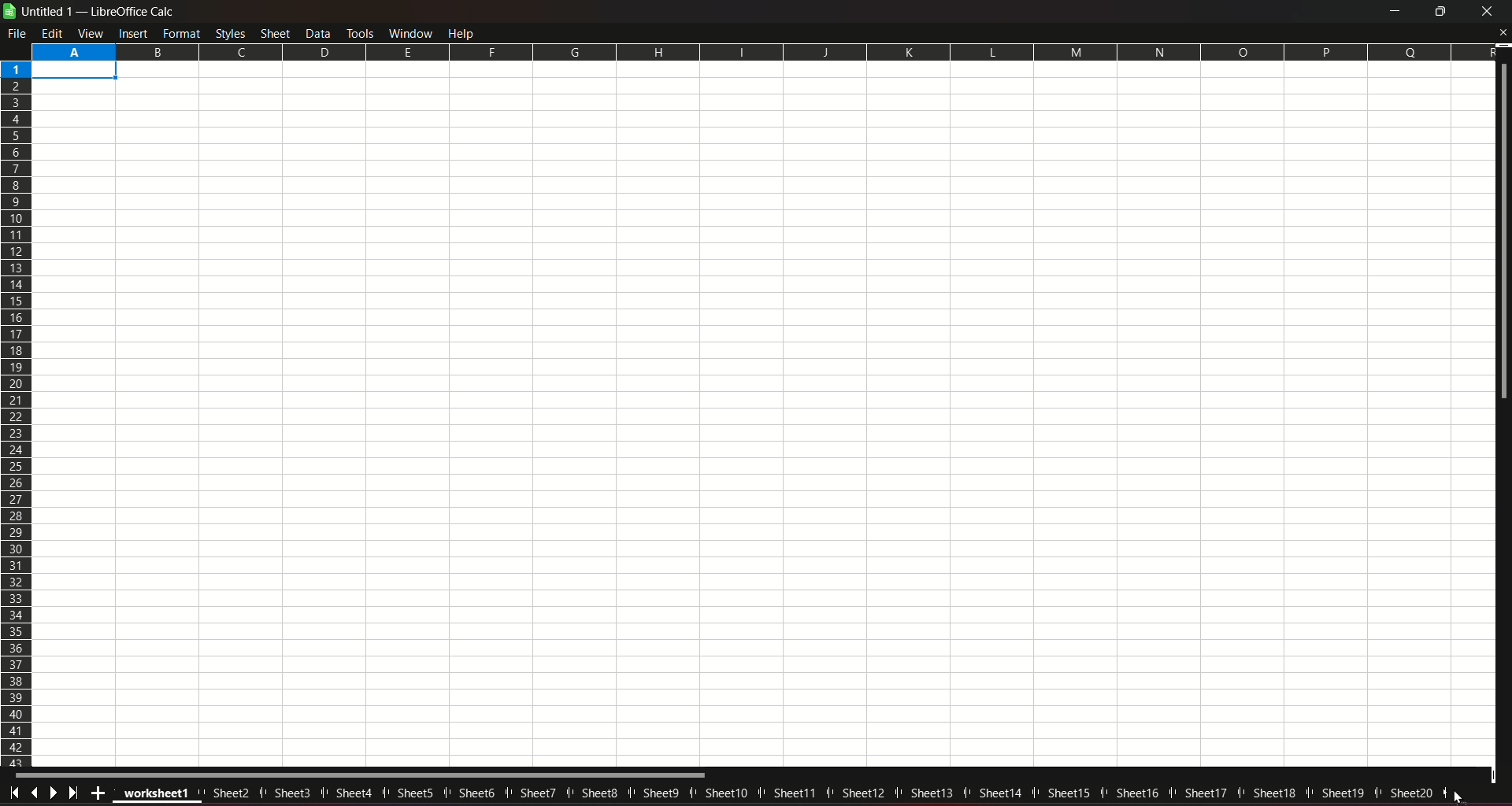 The width and height of the screenshot is (1512, 806). I want to click on edit, so click(53, 33).